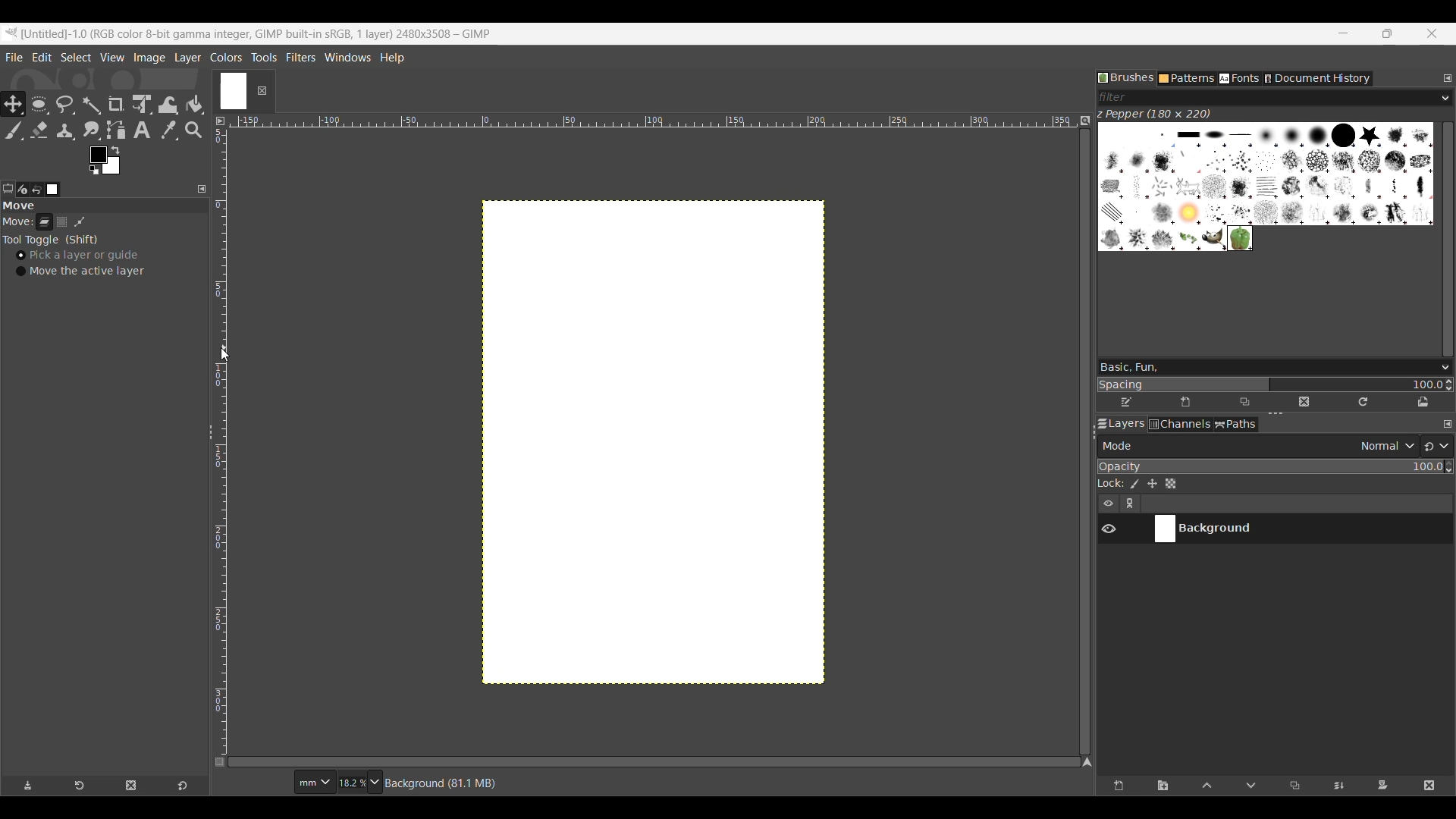 The width and height of the screenshot is (1456, 819). What do you see at coordinates (1294, 786) in the screenshot?
I see `Duplicate selected layer` at bounding box center [1294, 786].